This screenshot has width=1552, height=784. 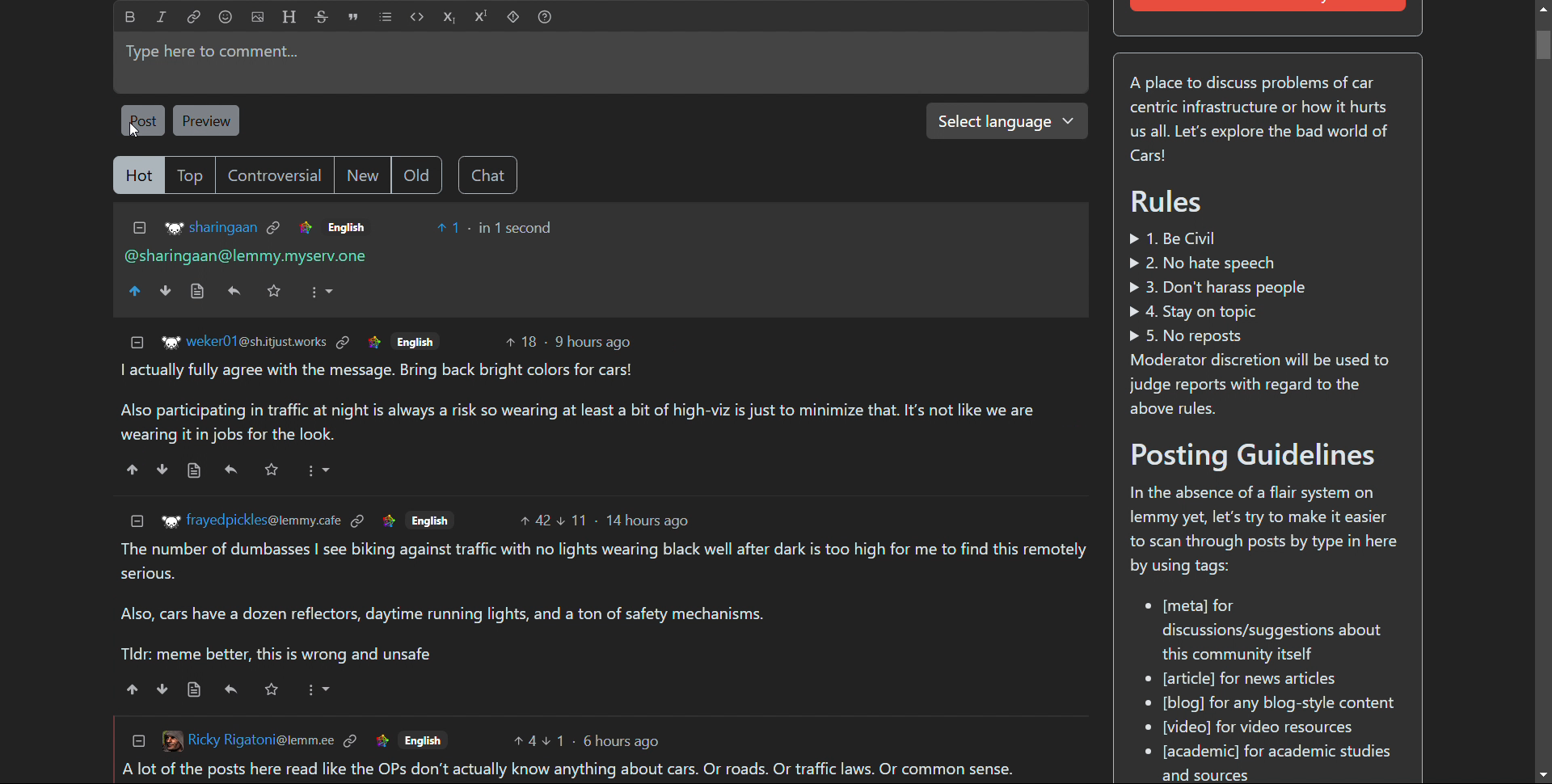 I want to click on English, so click(x=425, y=738).